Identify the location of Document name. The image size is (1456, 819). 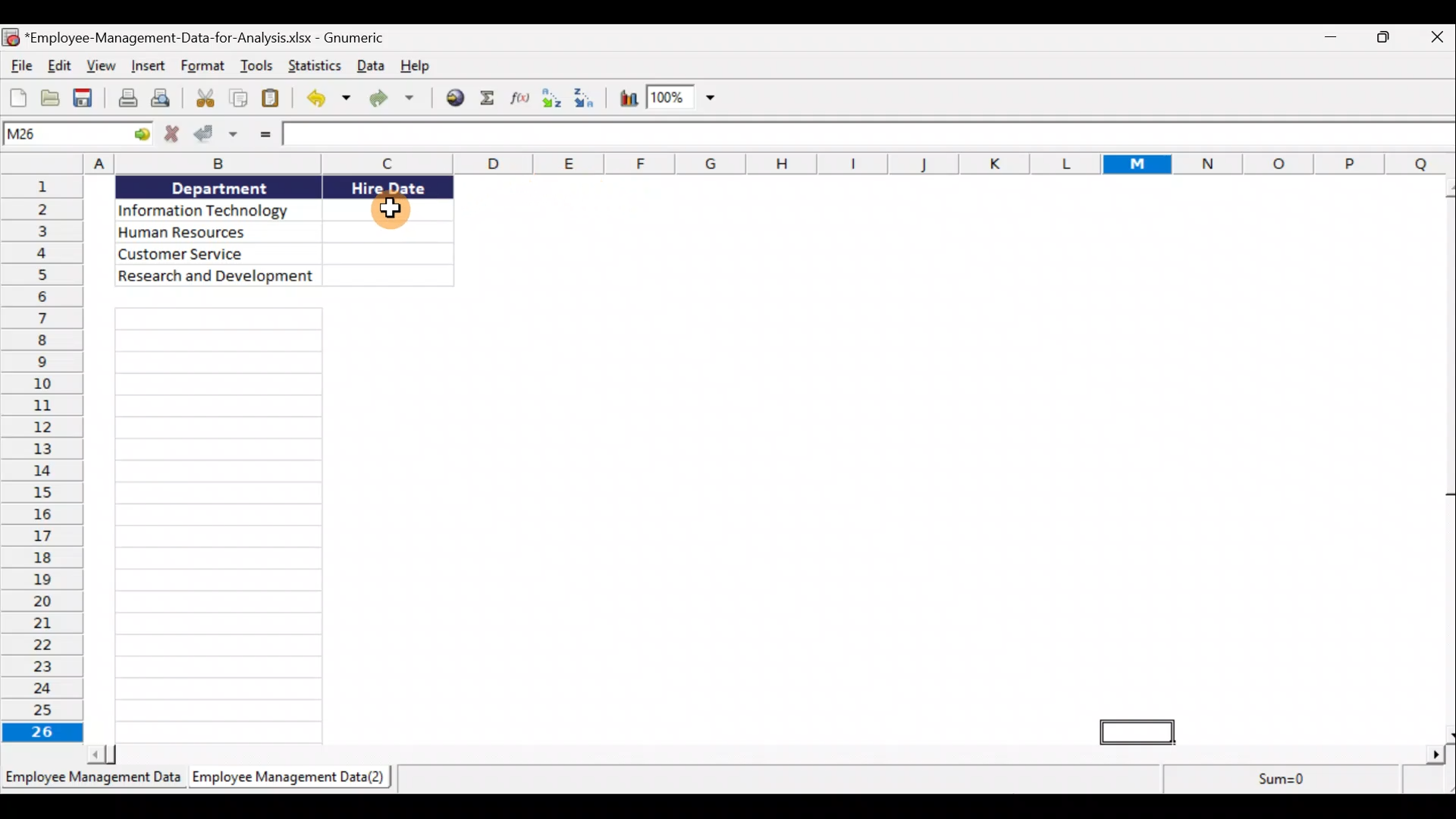
(194, 36).